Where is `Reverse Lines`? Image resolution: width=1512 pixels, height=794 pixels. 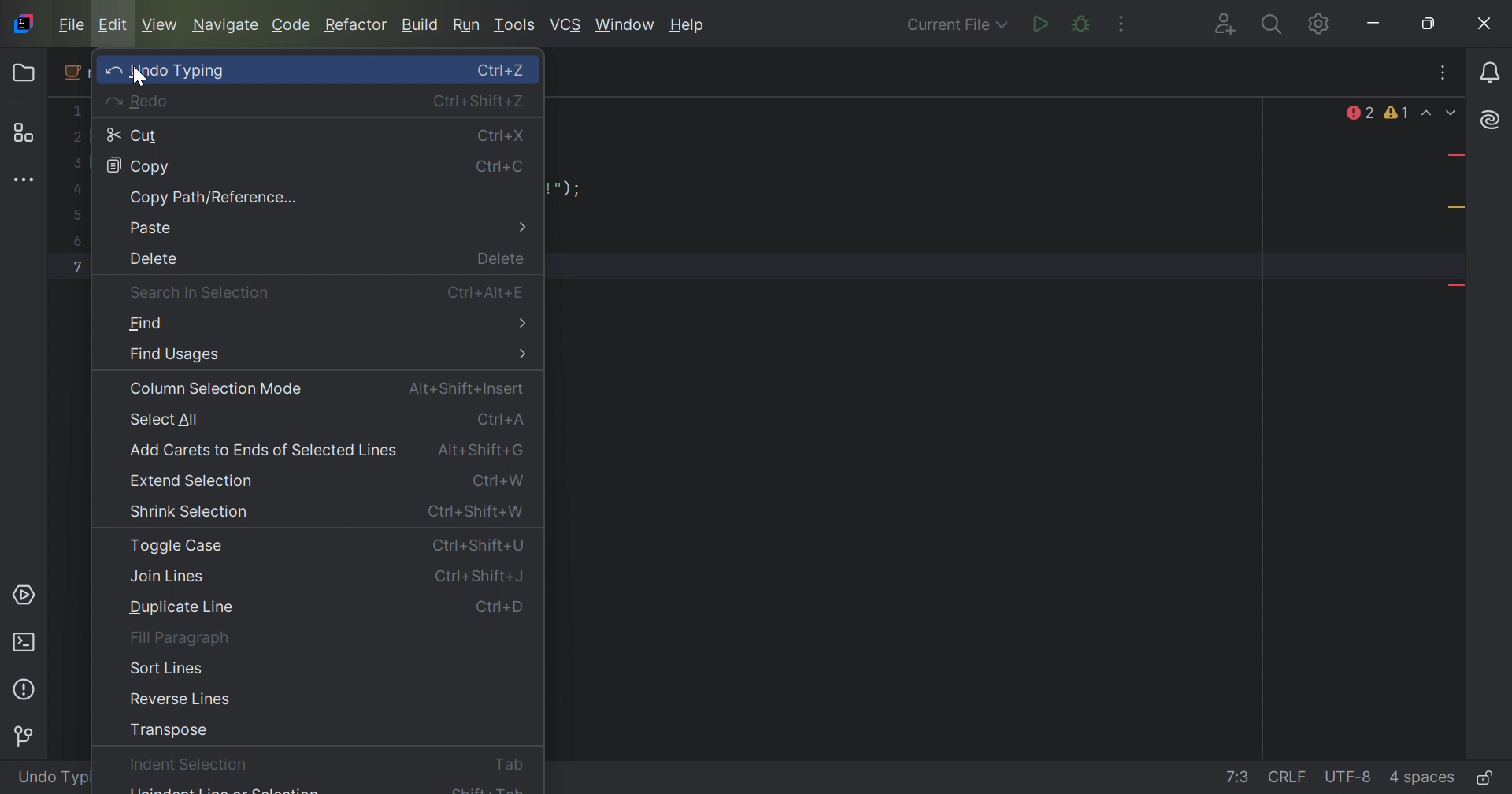
Reverse Lines is located at coordinates (180, 699).